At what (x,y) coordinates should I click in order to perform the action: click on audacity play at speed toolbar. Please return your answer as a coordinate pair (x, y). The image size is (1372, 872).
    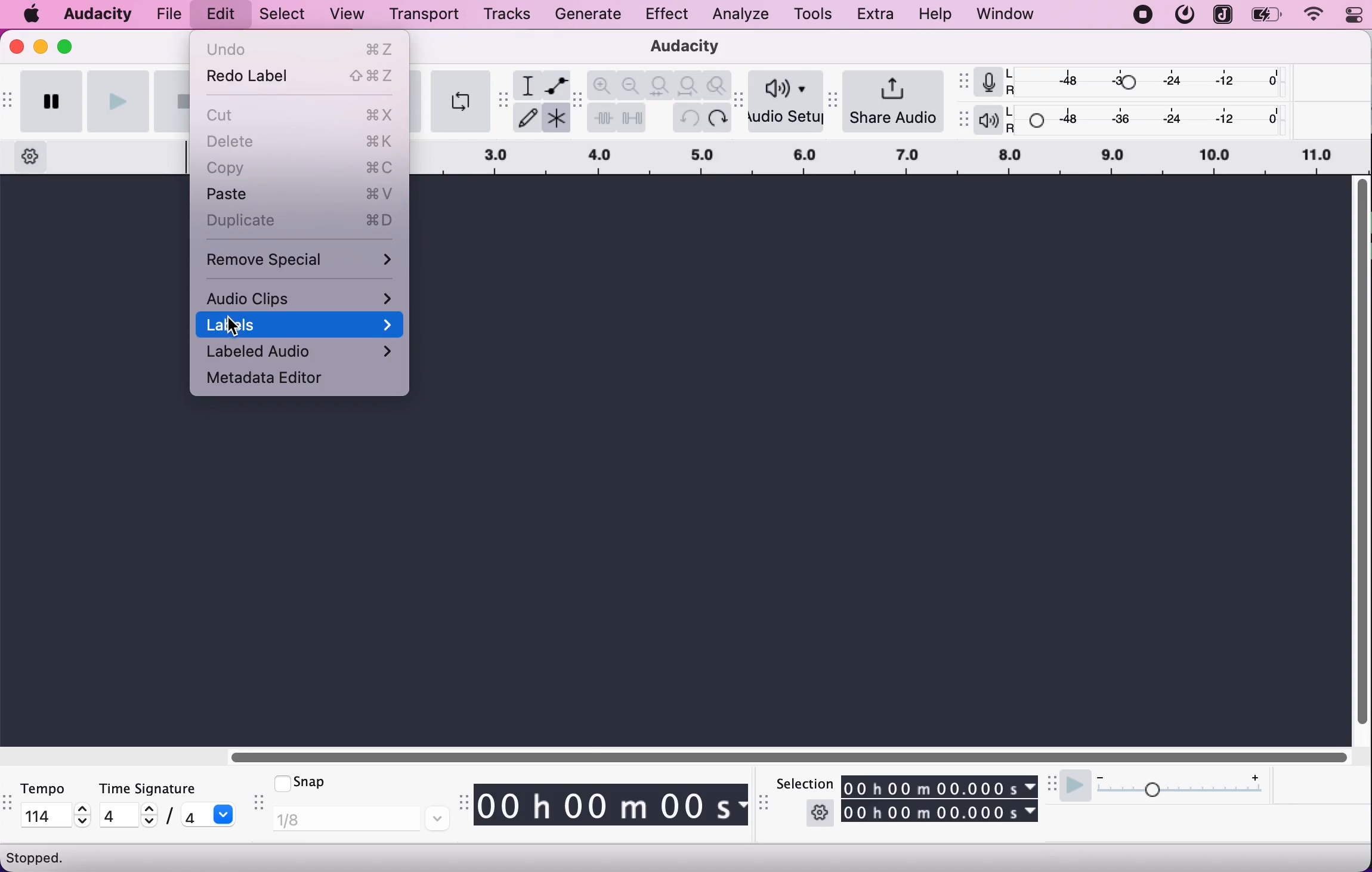
    Looking at the image, I should click on (1053, 784).